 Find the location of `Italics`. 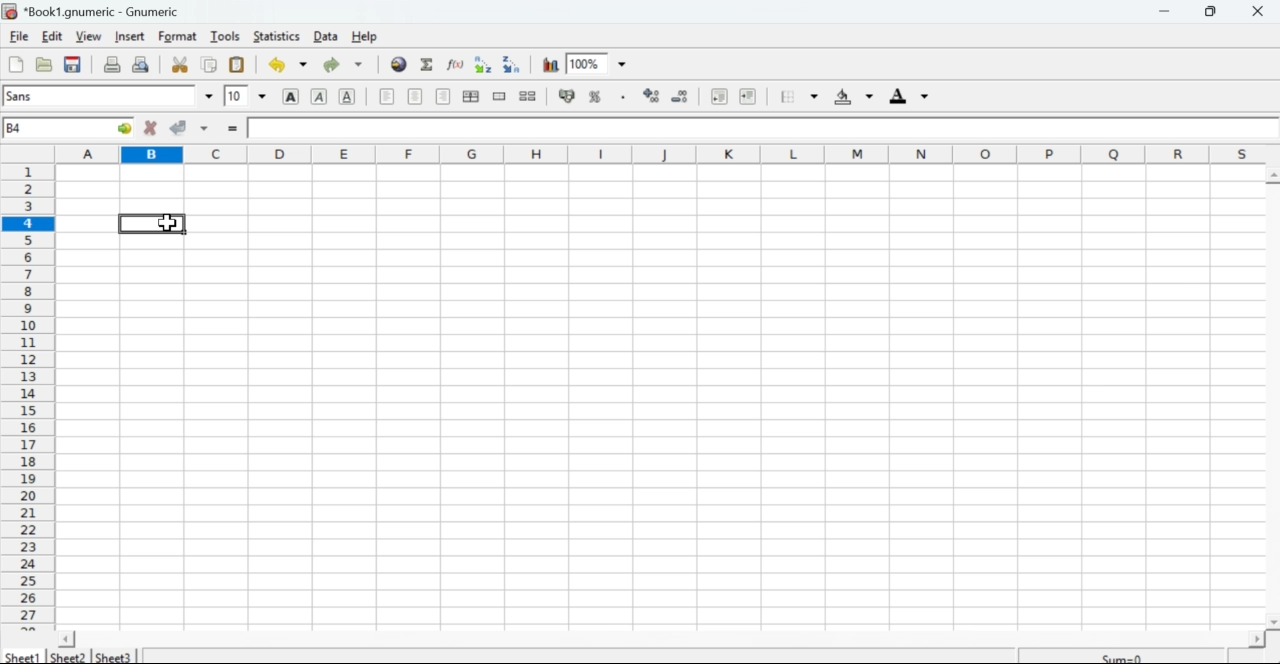

Italics is located at coordinates (319, 98).